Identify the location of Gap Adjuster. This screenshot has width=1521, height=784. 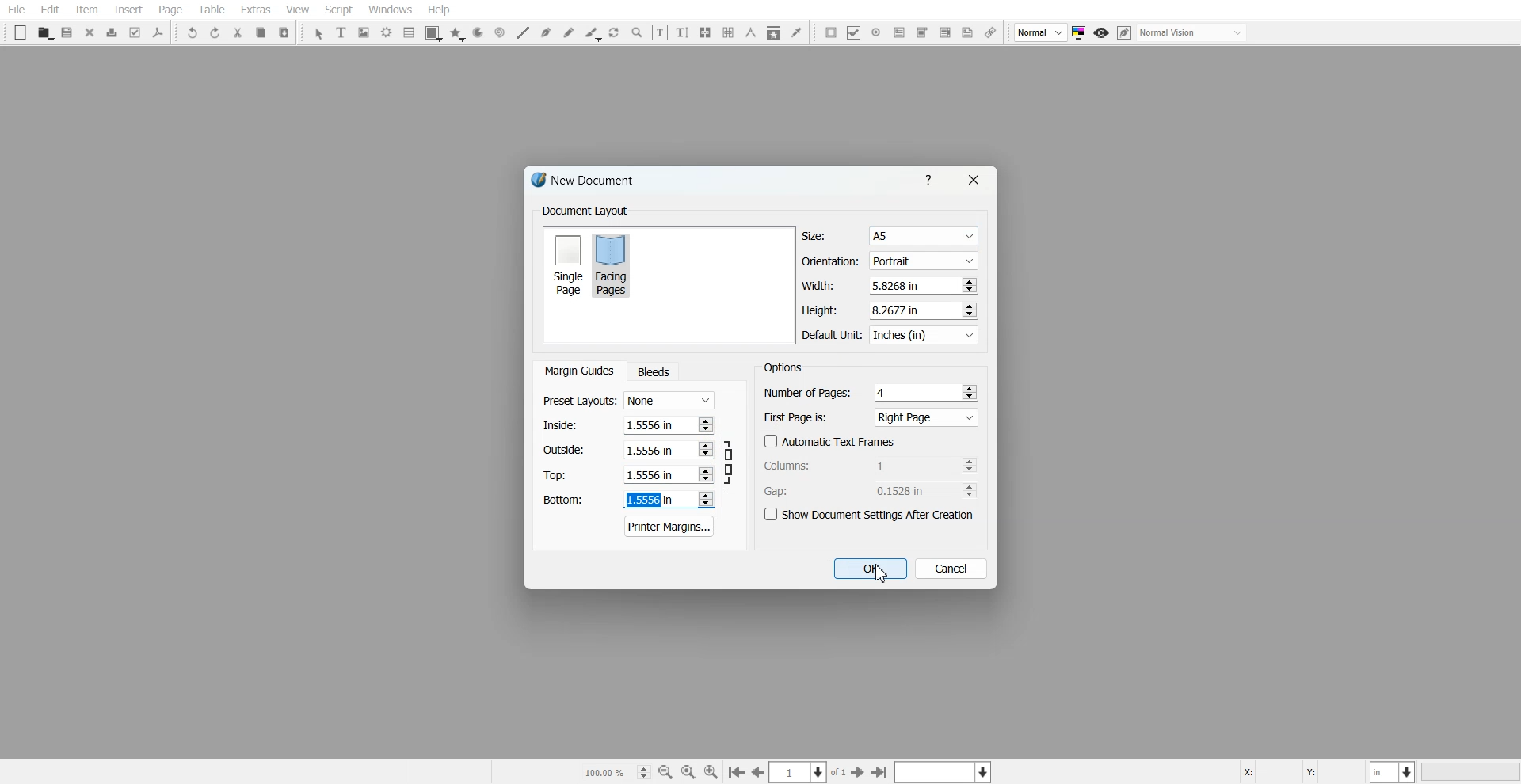
(871, 490).